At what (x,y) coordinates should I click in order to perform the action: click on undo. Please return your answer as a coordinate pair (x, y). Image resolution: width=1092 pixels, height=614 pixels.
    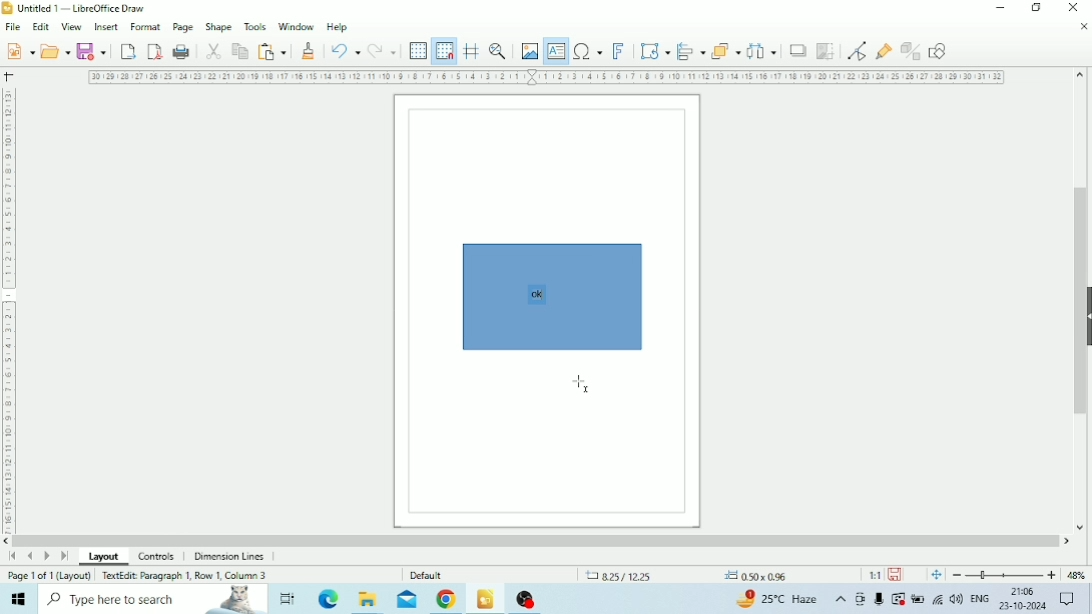
    Looking at the image, I should click on (345, 51).